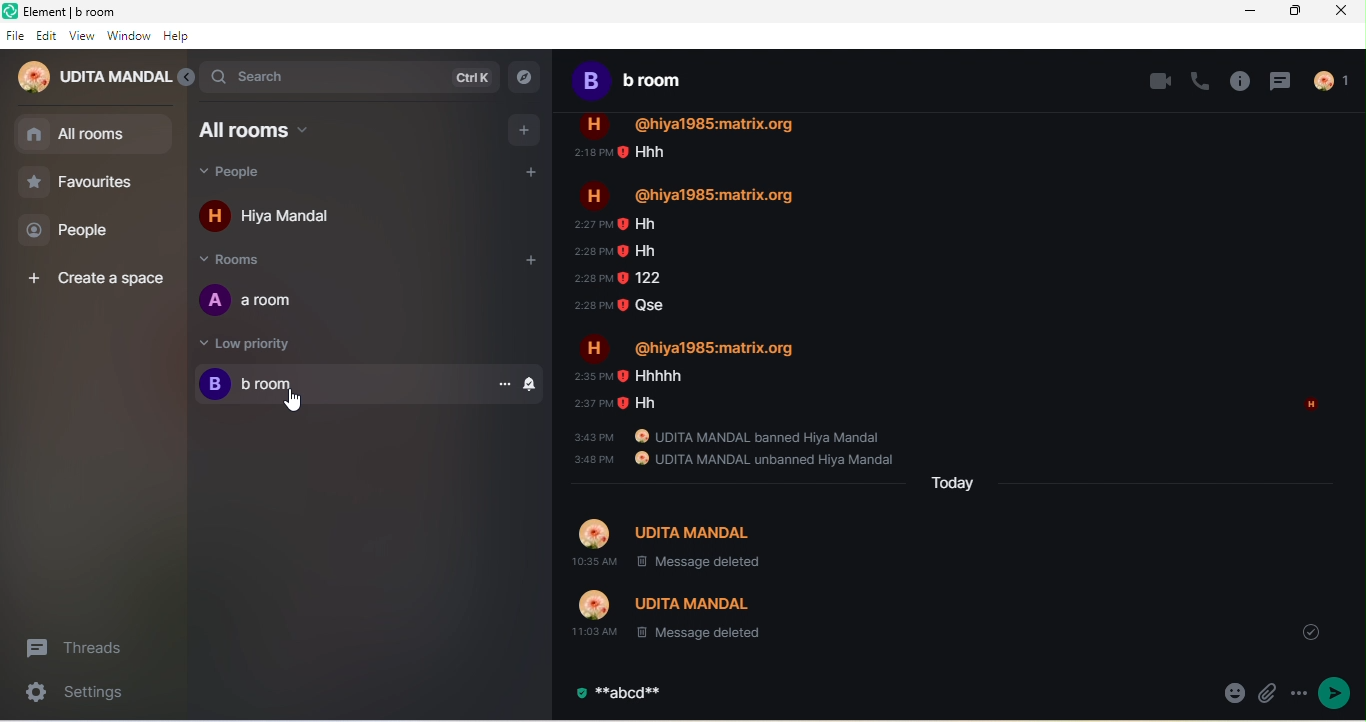 Image resolution: width=1366 pixels, height=722 pixels. Describe the element at coordinates (292, 400) in the screenshot. I see `Cursor` at that location.